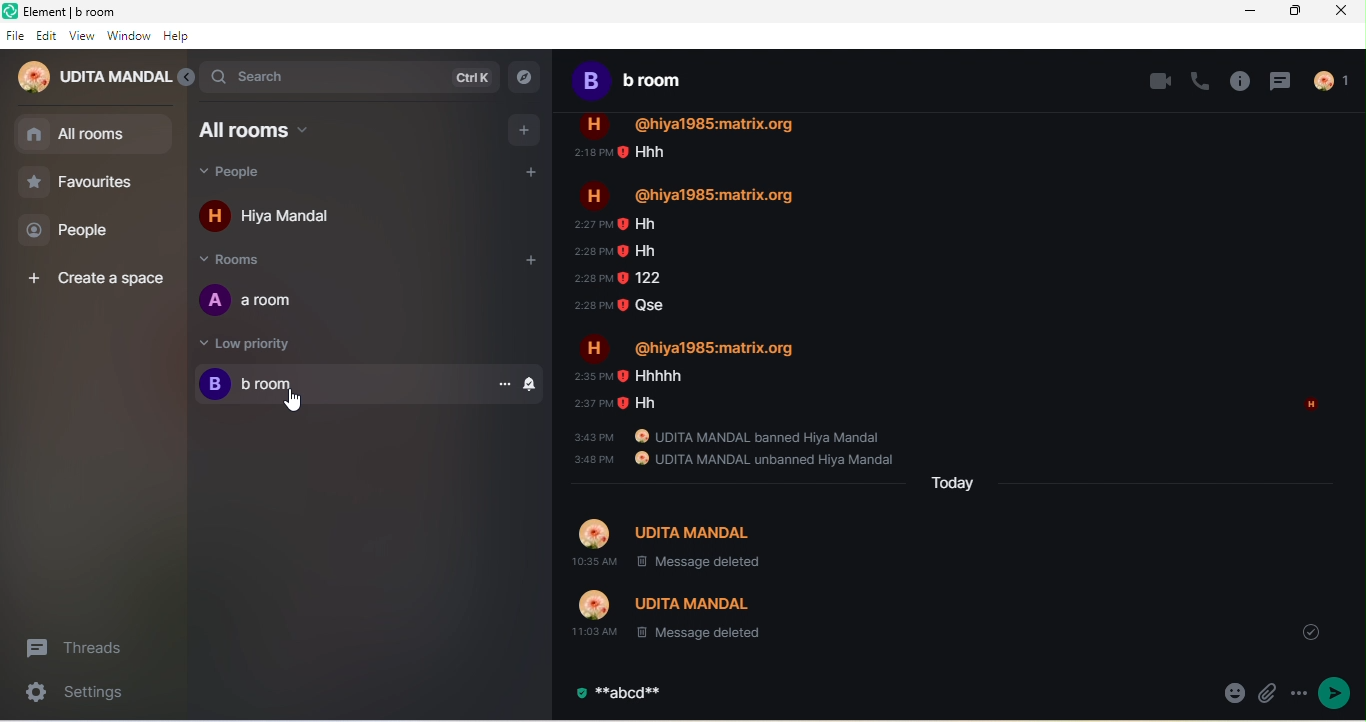 Image resolution: width=1366 pixels, height=722 pixels. Describe the element at coordinates (292, 400) in the screenshot. I see `Cursor` at that location.